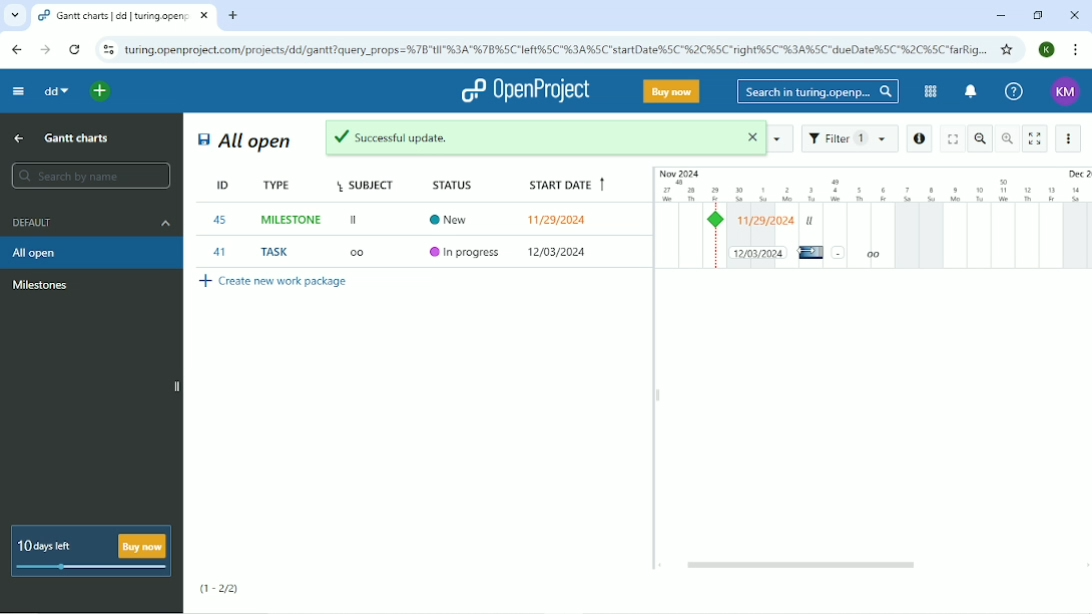 This screenshot has height=614, width=1092. Describe the element at coordinates (54, 90) in the screenshot. I see `dd` at that location.